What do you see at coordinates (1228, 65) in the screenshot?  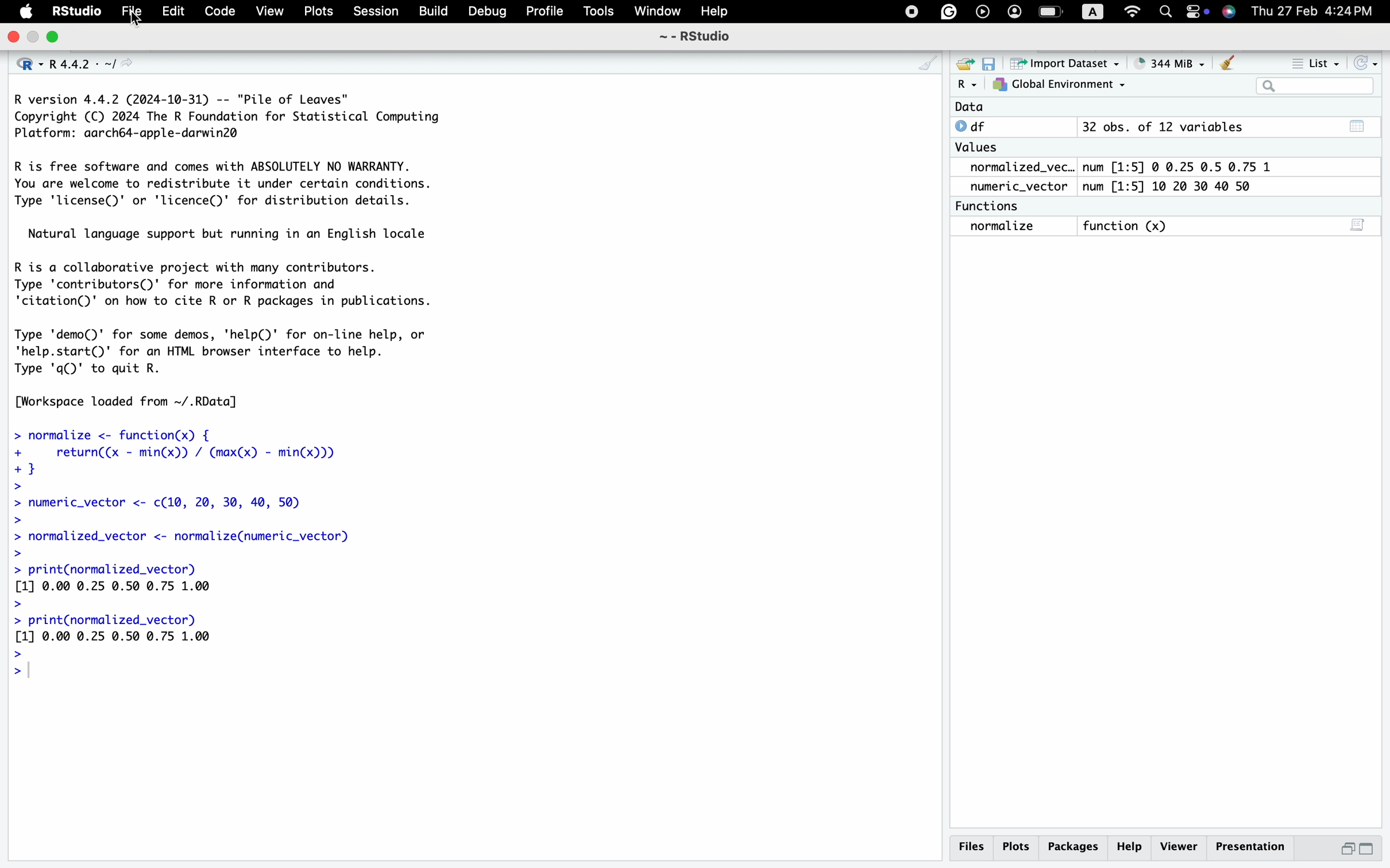 I see `Clear data` at bounding box center [1228, 65].